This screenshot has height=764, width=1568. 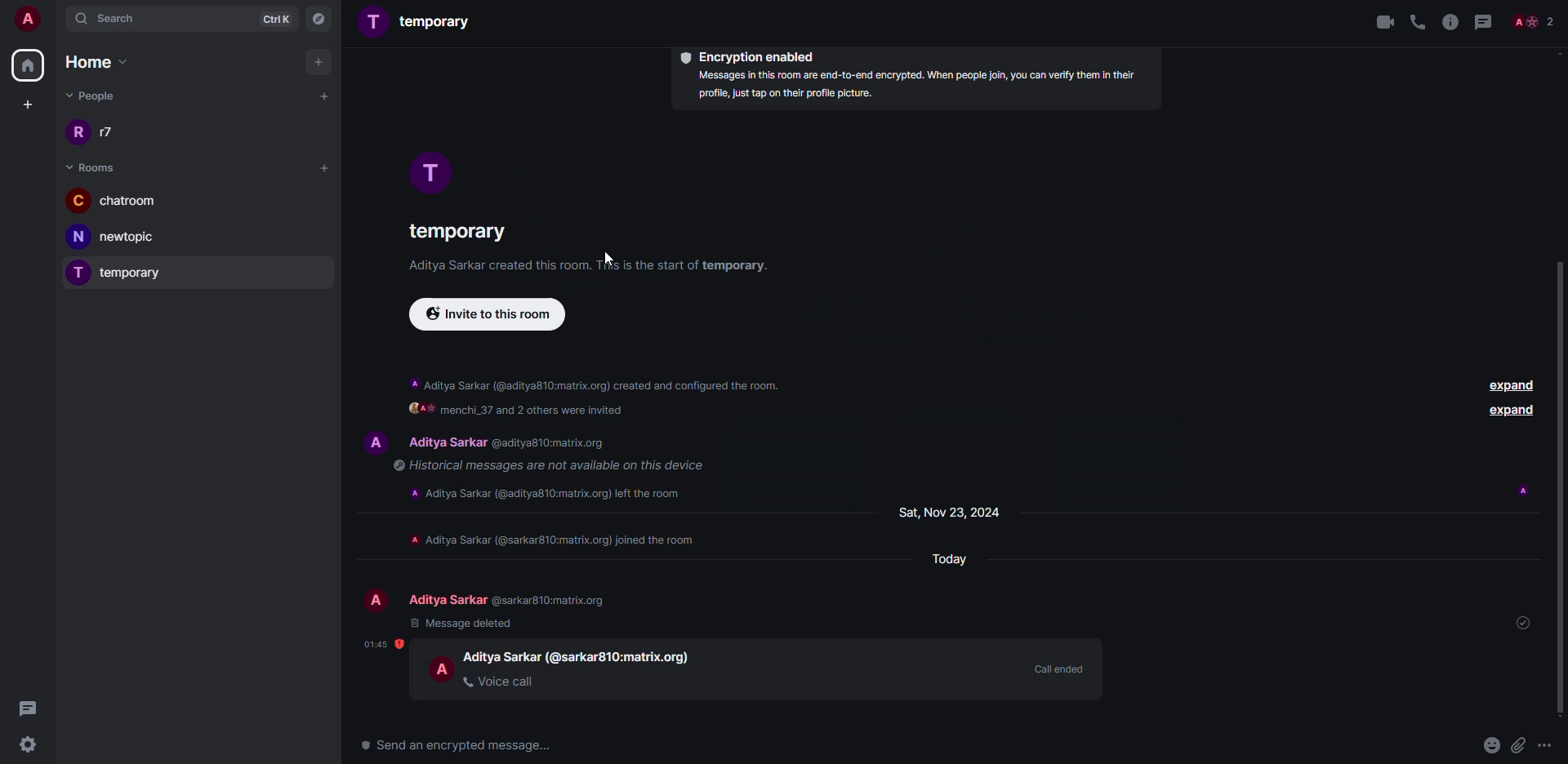 I want to click on room, so click(x=122, y=238).